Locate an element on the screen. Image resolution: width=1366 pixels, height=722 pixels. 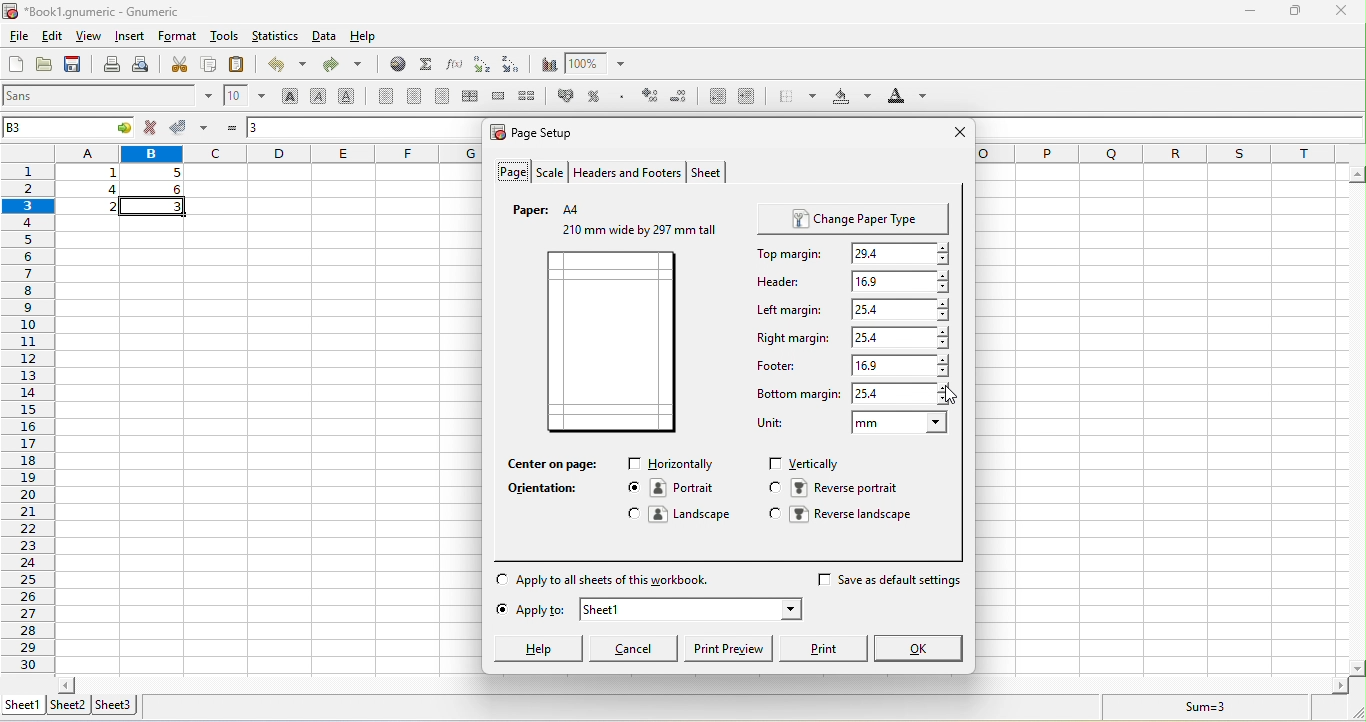
percentage is located at coordinates (595, 95).